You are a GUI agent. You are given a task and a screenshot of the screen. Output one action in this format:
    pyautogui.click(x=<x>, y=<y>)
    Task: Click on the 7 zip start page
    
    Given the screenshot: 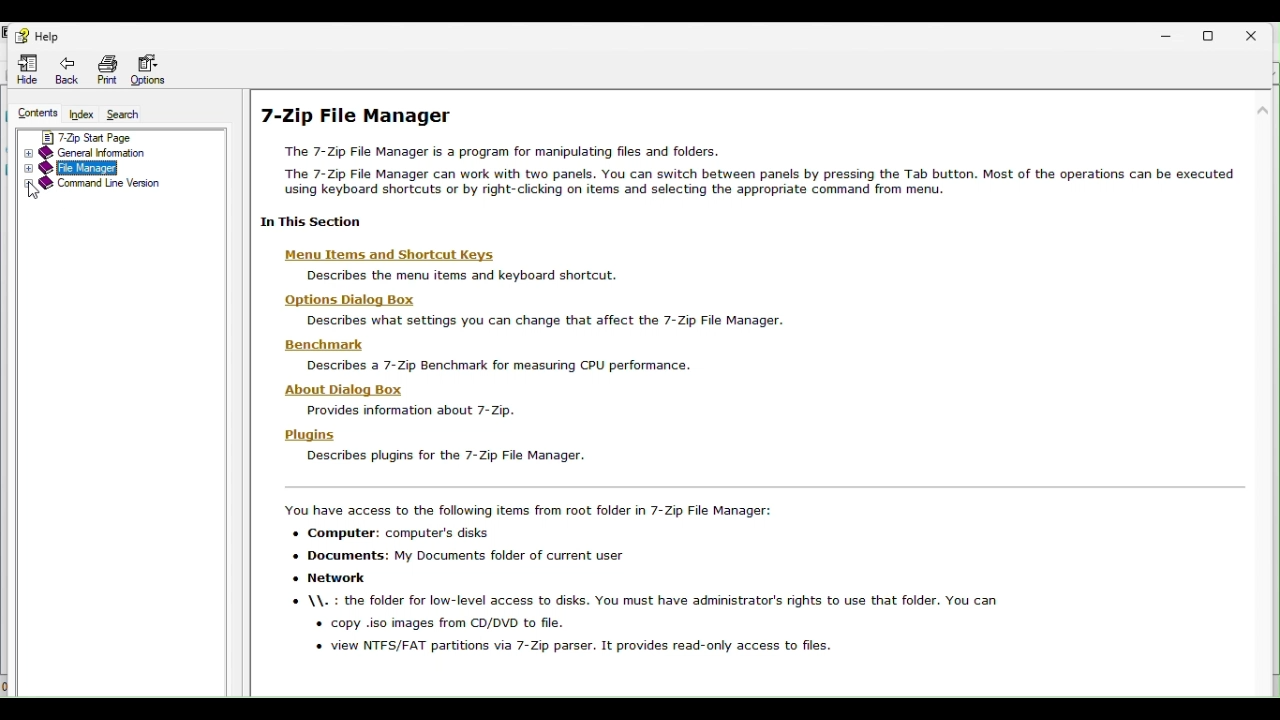 What is the action you would take?
    pyautogui.click(x=113, y=136)
    